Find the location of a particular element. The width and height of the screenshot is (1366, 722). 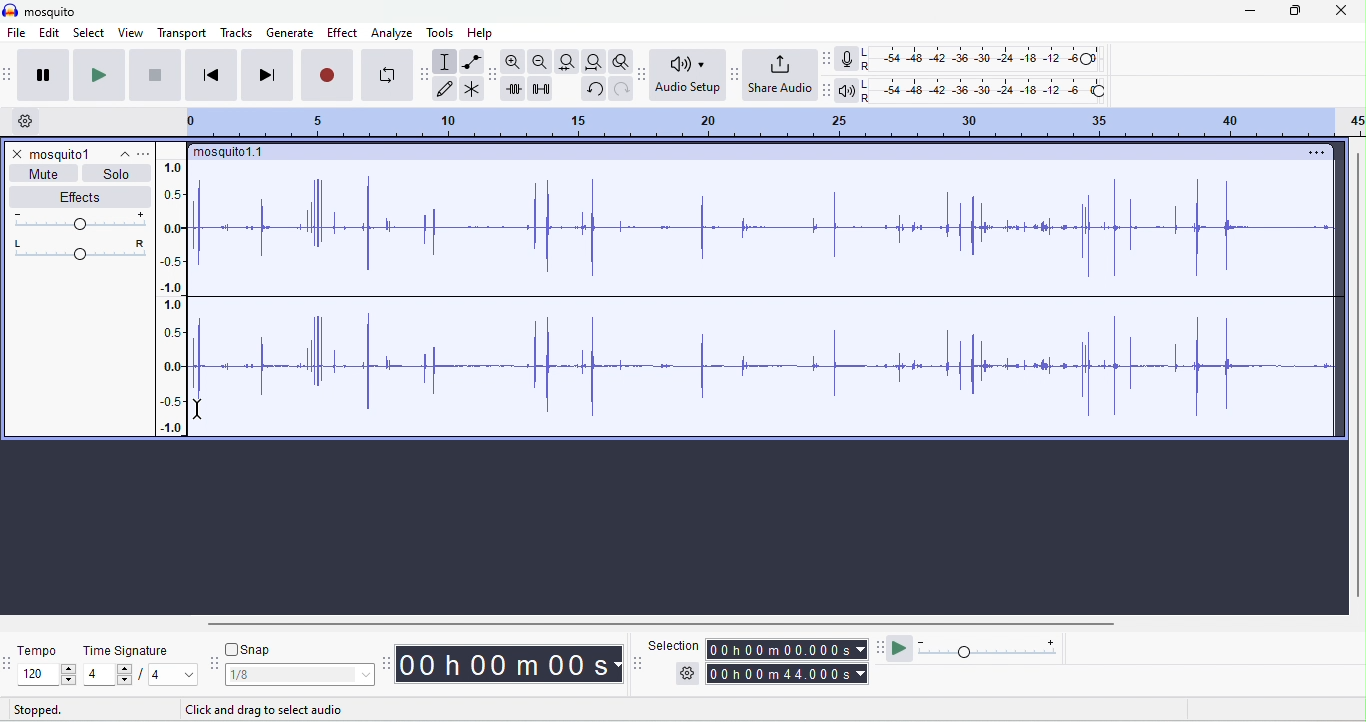

close is located at coordinates (18, 154).